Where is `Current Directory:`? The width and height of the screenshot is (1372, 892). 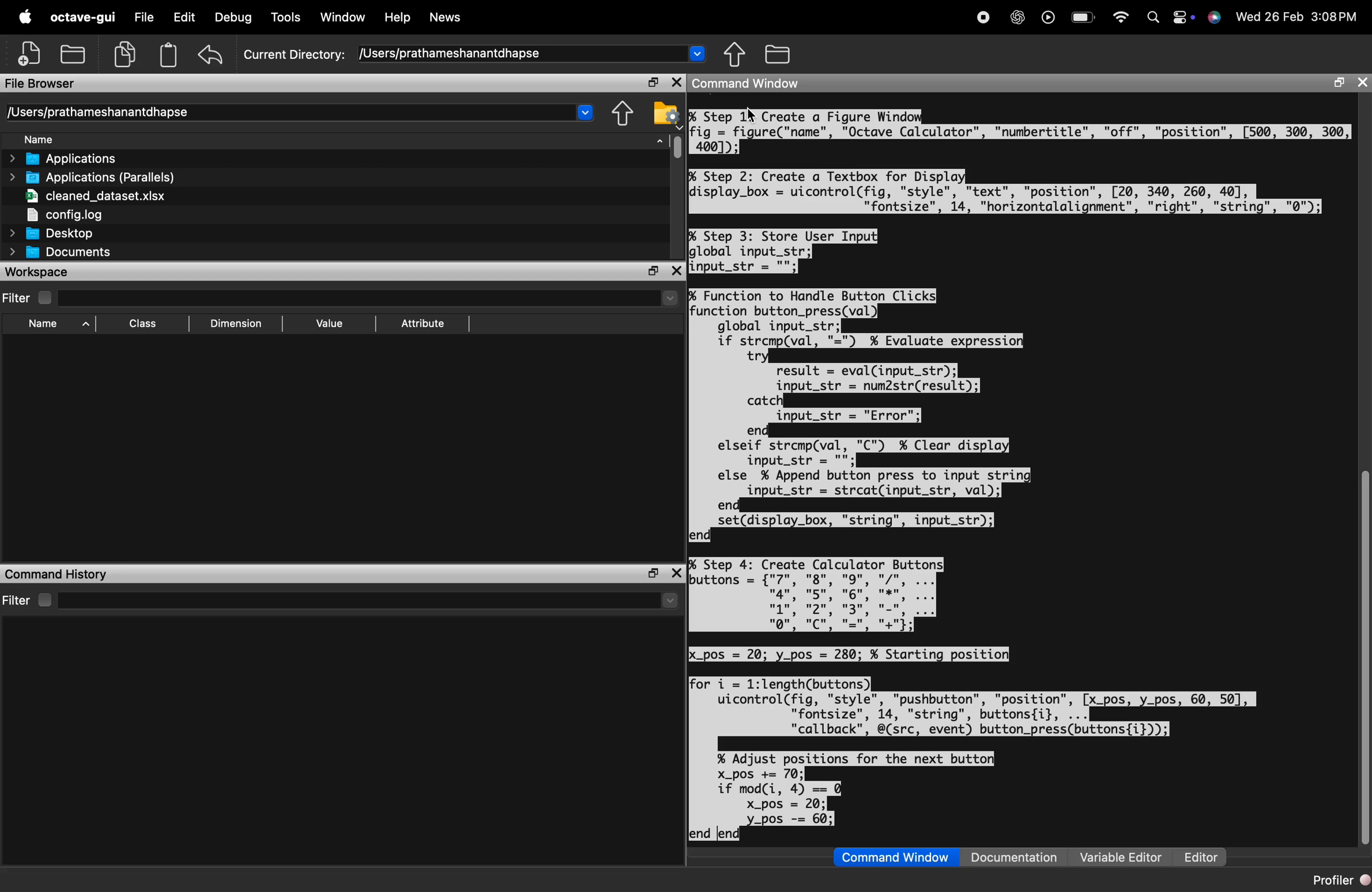 Current Directory: is located at coordinates (293, 55).